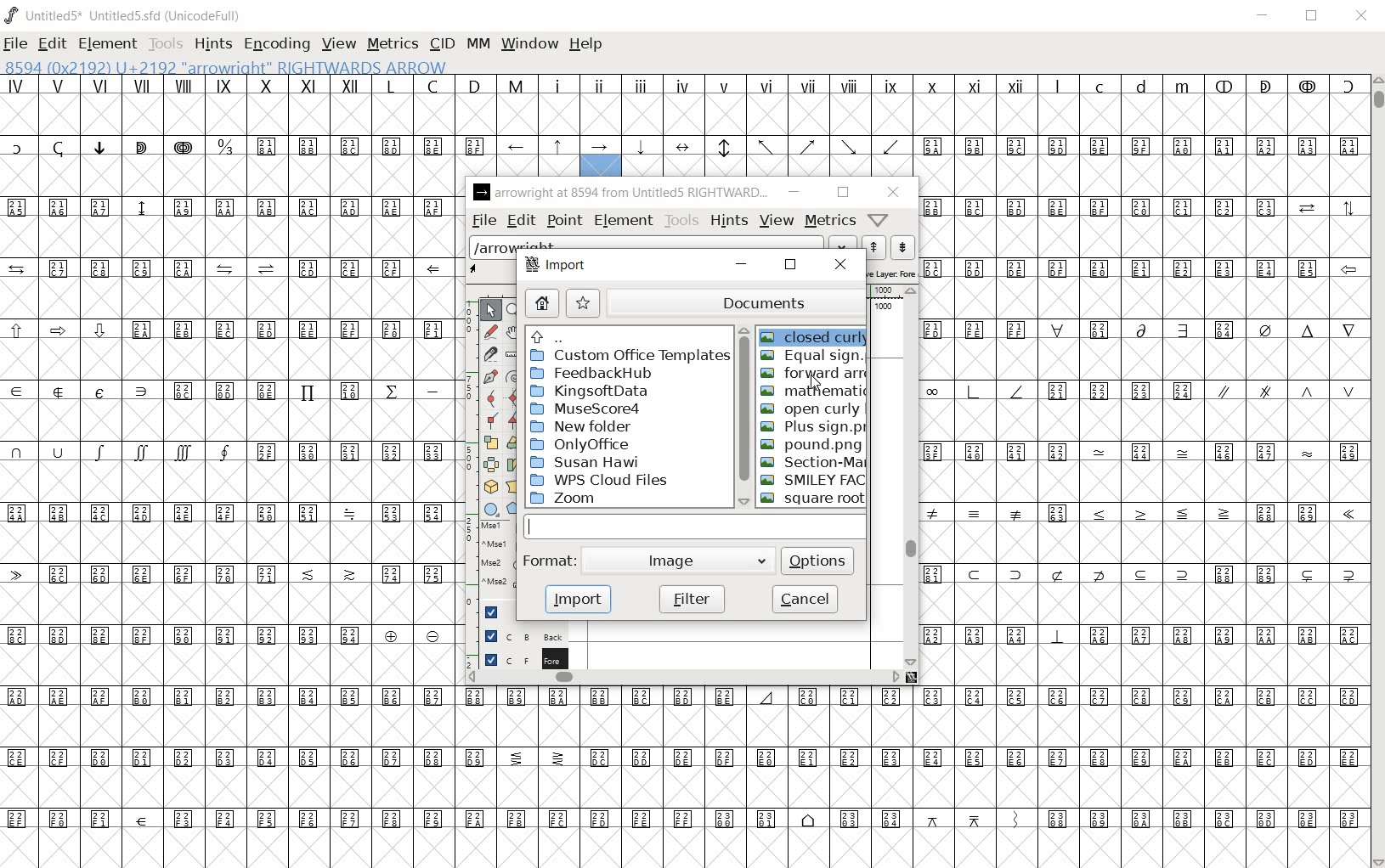  What do you see at coordinates (696, 526) in the screenshot?
I see `input field` at bounding box center [696, 526].